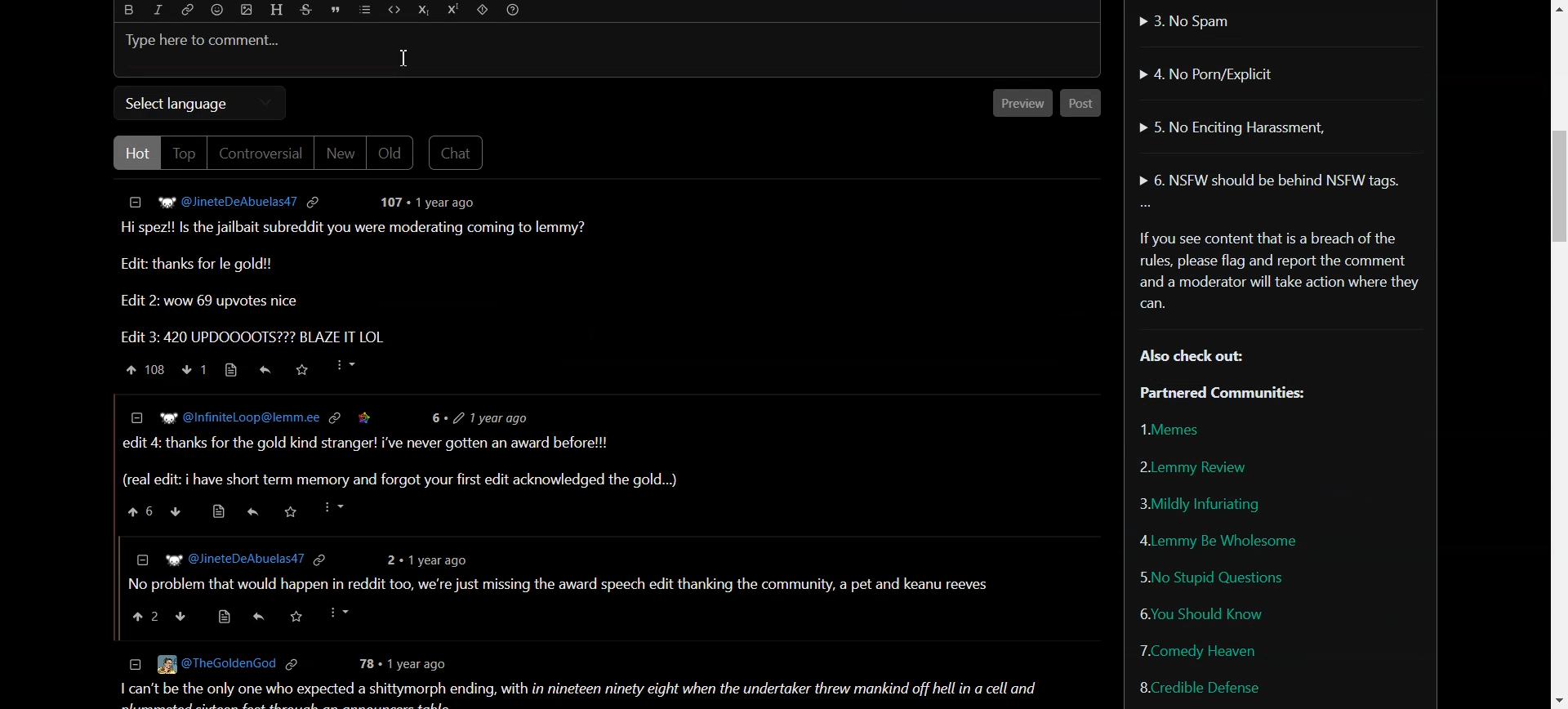 This screenshot has height=709, width=1568. What do you see at coordinates (267, 369) in the screenshot?
I see `Reply` at bounding box center [267, 369].